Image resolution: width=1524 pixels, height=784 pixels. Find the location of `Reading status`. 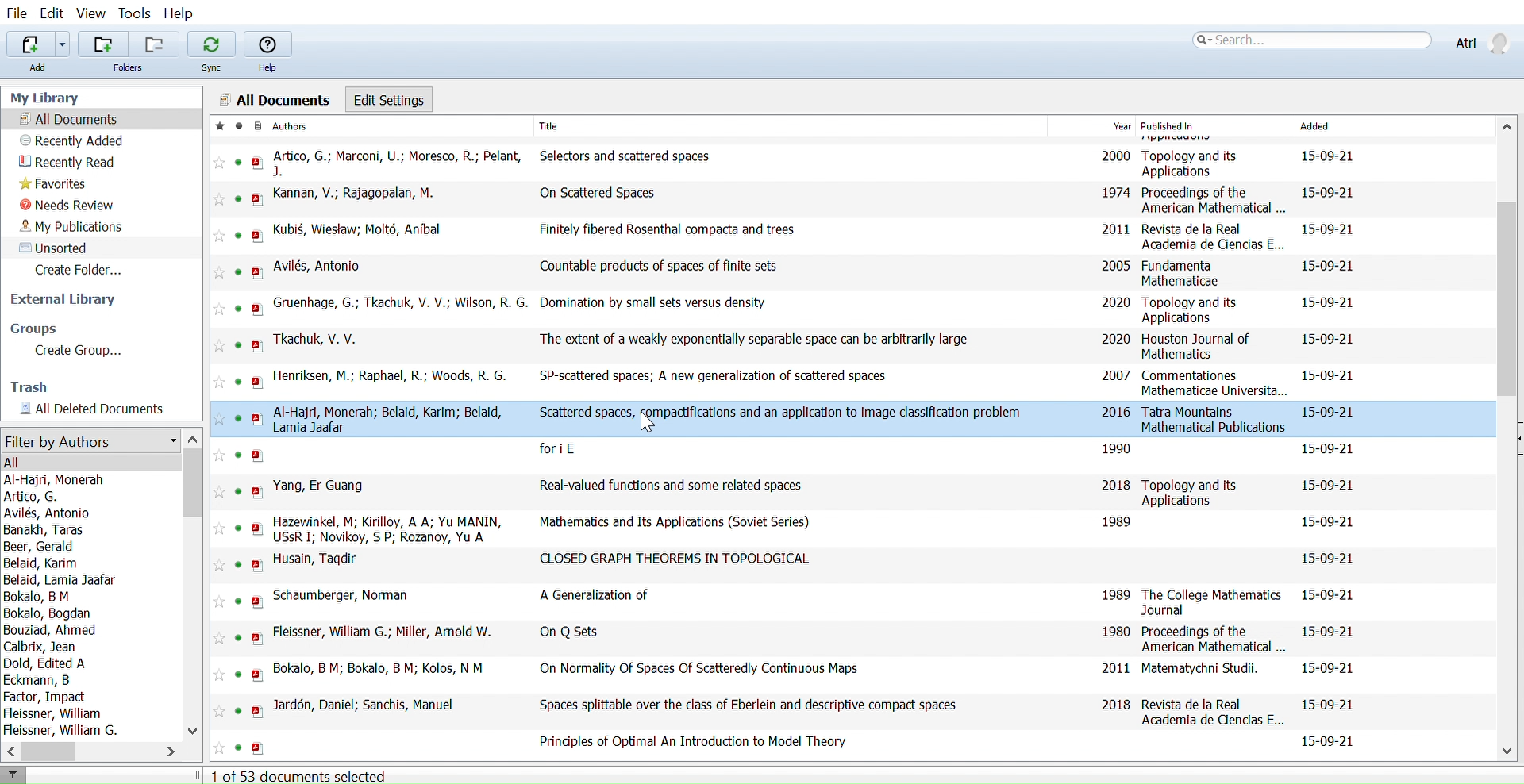

Reading status is located at coordinates (238, 711).